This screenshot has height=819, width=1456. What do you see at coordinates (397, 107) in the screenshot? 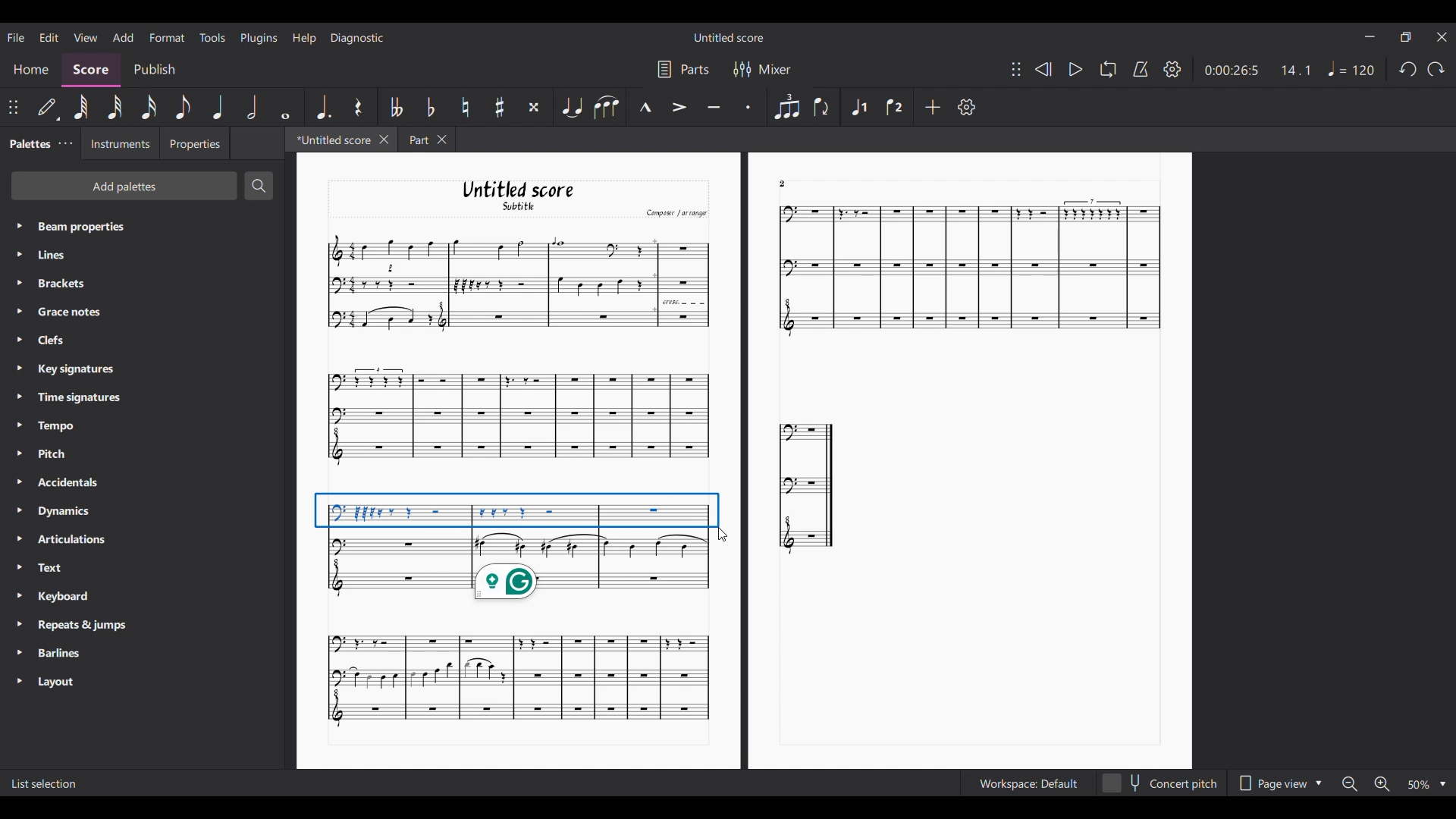
I see `Toggle double flat` at bounding box center [397, 107].